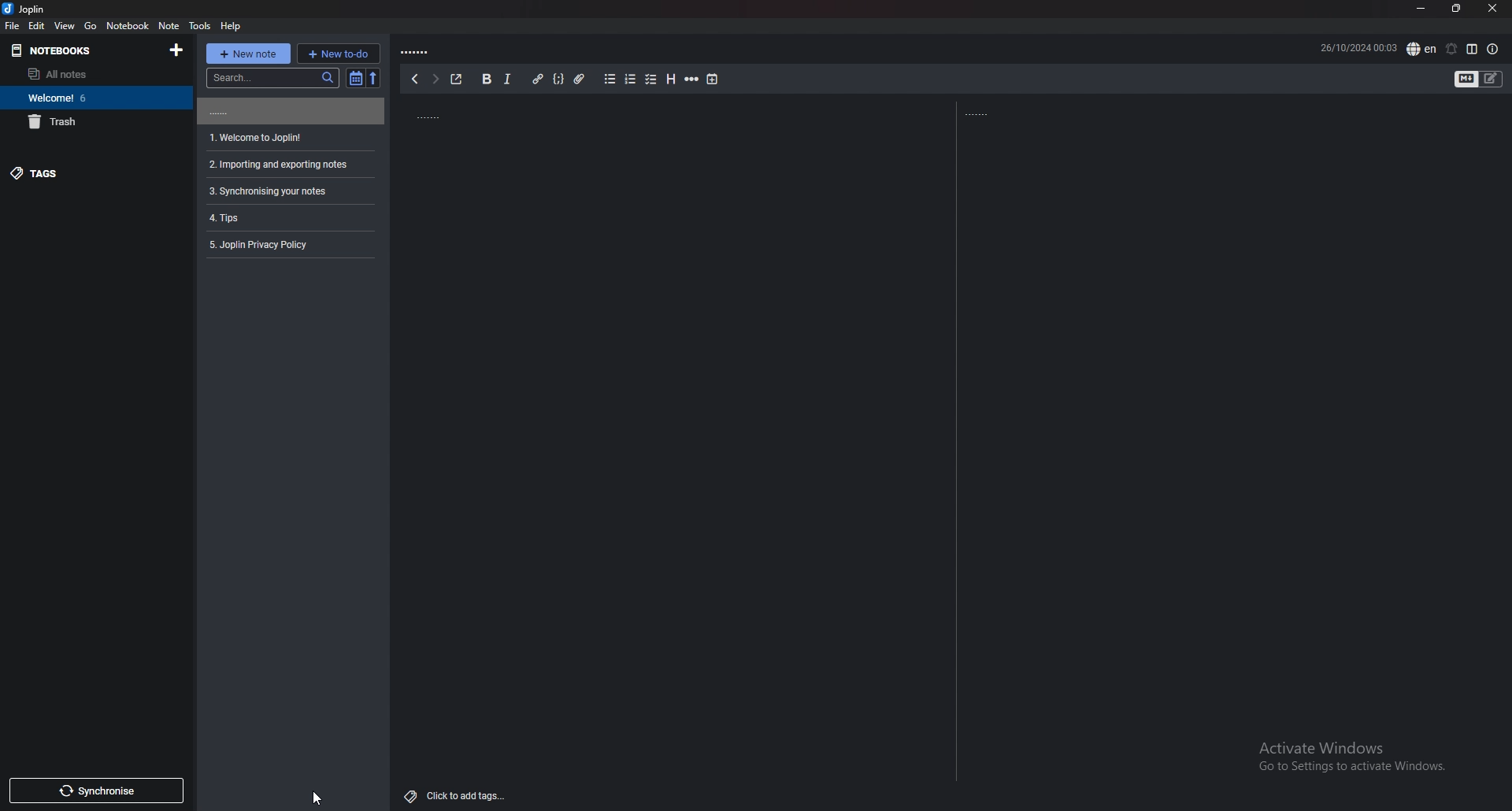  What do you see at coordinates (539, 79) in the screenshot?
I see `add hyperlink` at bounding box center [539, 79].